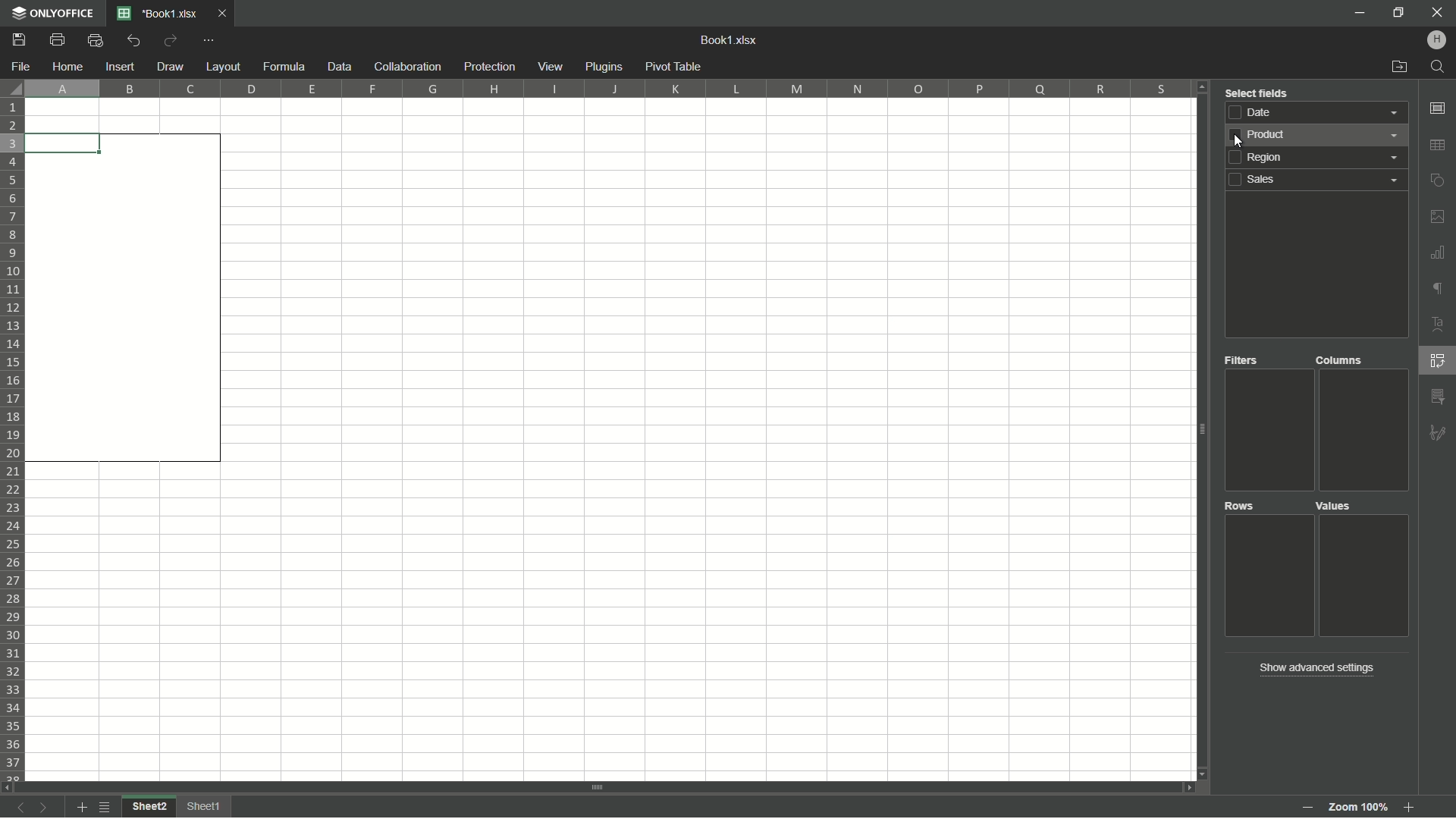 Image resolution: width=1456 pixels, height=819 pixels. What do you see at coordinates (57, 42) in the screenshot?
I see `Print file` at bounding box center [57, 42].